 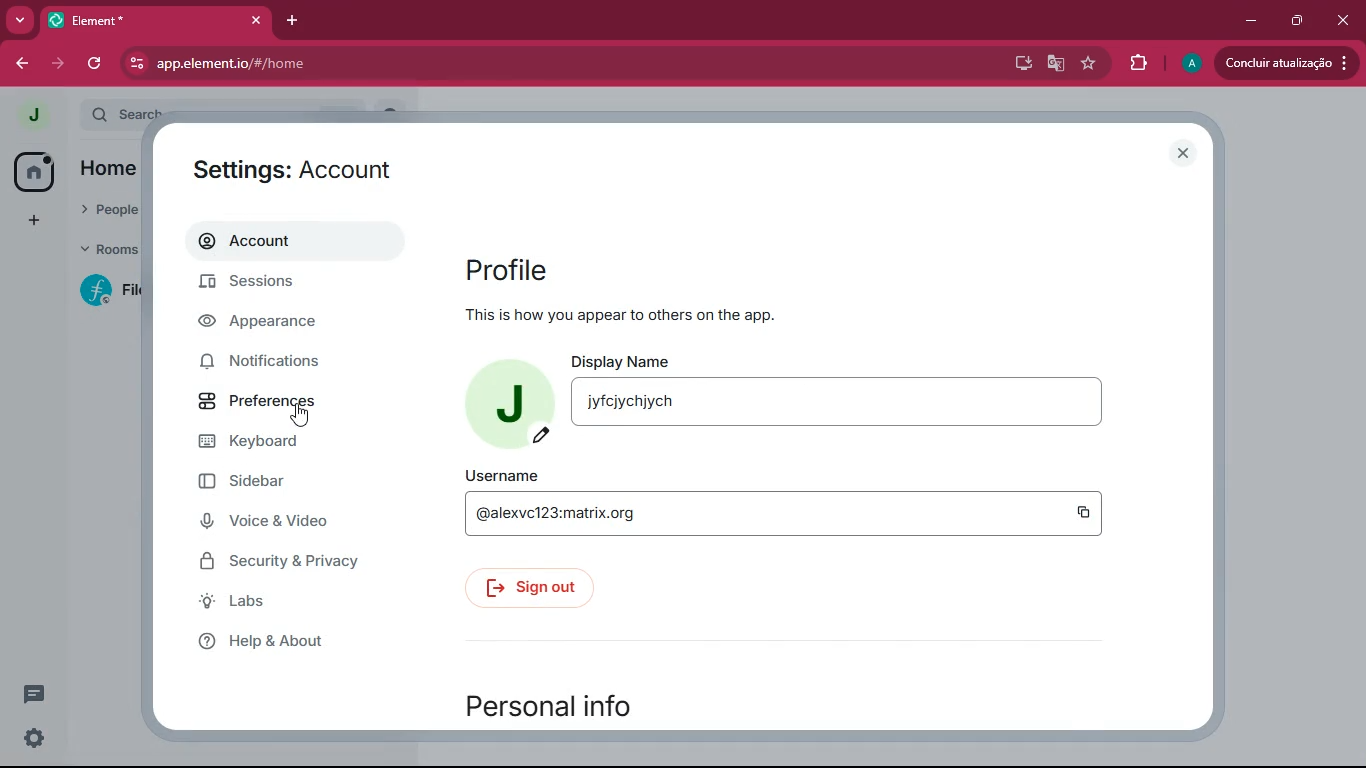 What do you see at coordinates (519, 270) in the screenshot?
I see `profile` at bounding box center [519, 270].